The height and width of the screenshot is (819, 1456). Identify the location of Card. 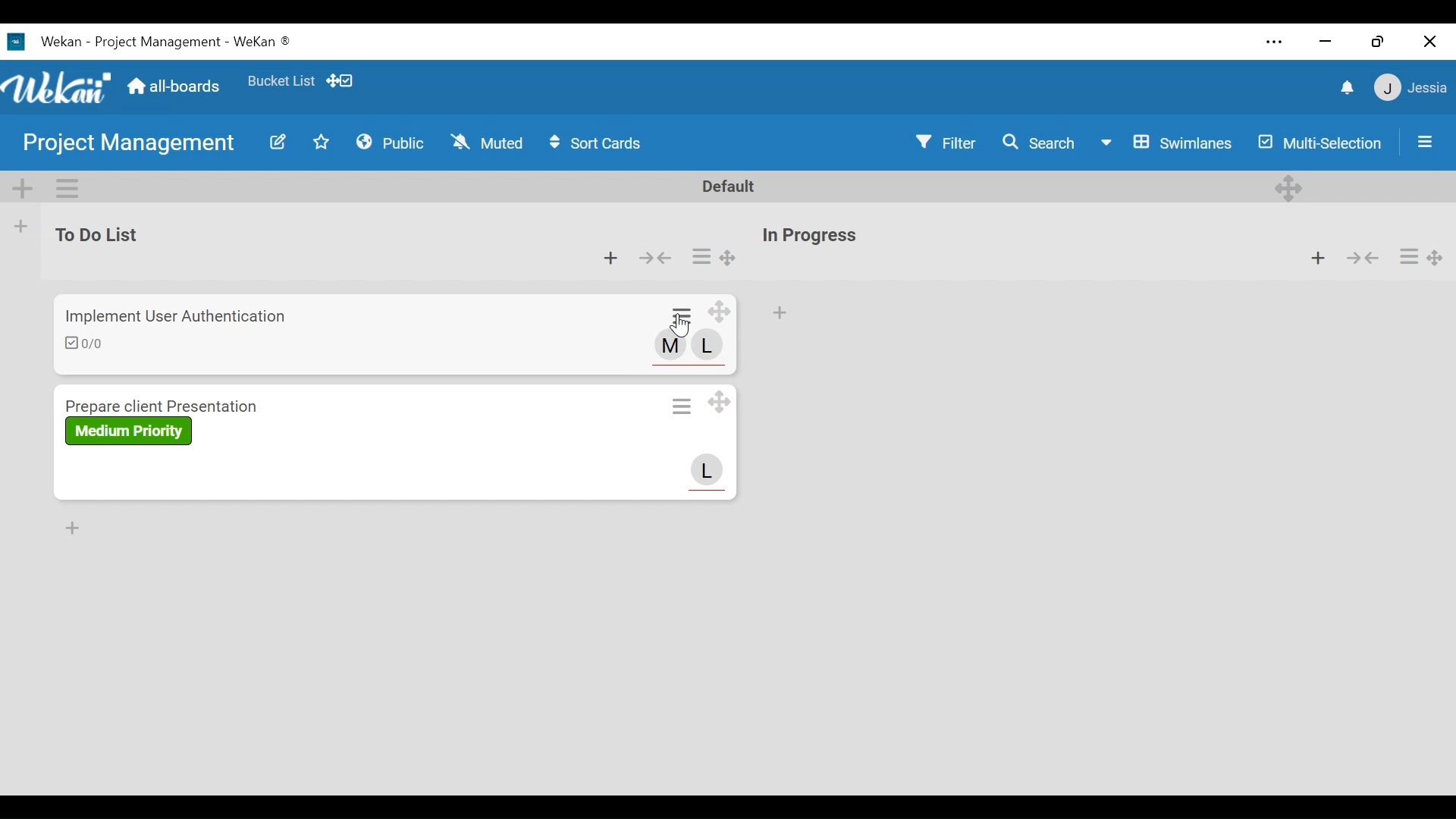
(679, 326).